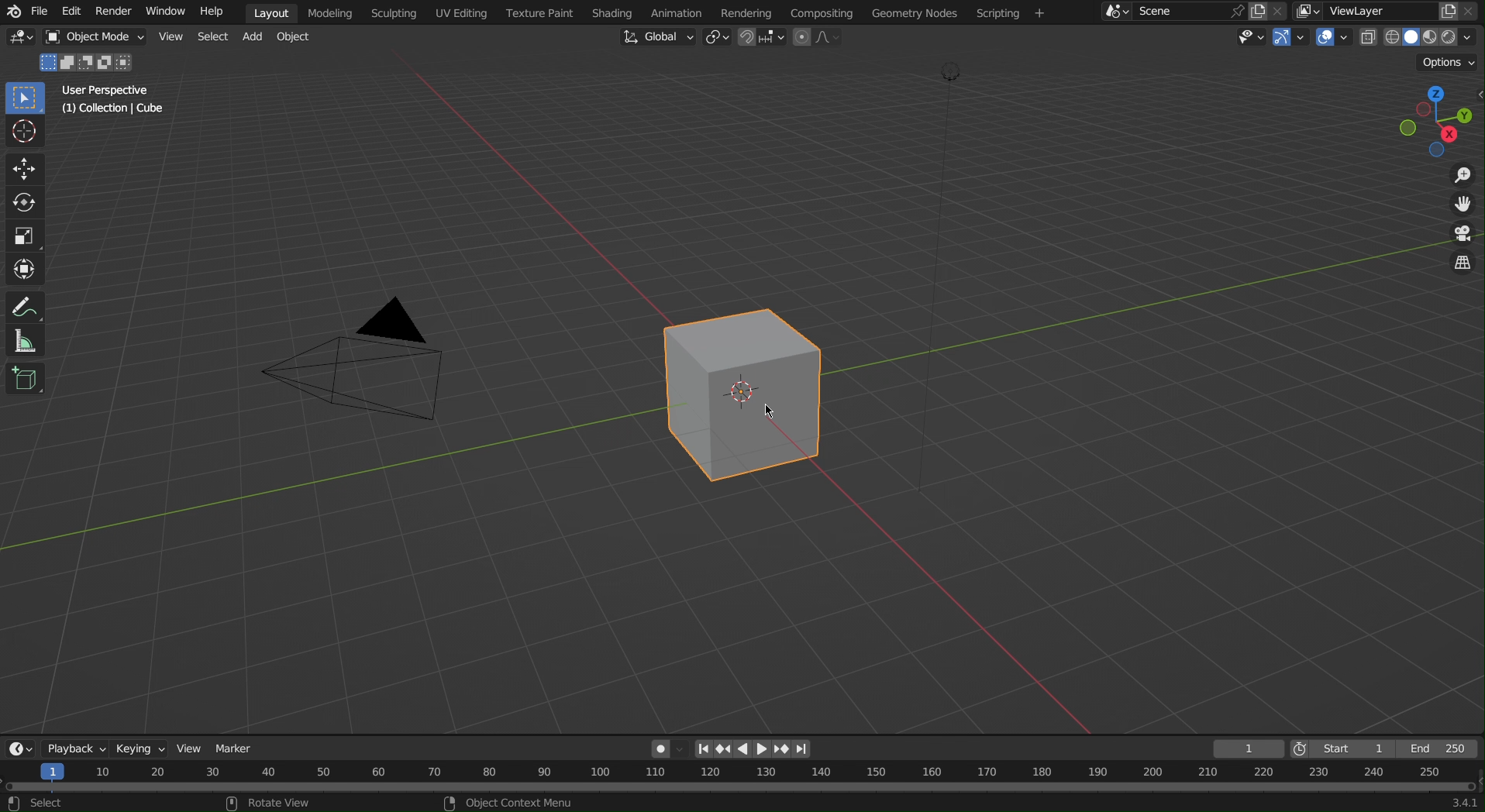  Describe the element at coordinates (1474, 12) in the screenshot. I see `Close` at that location.